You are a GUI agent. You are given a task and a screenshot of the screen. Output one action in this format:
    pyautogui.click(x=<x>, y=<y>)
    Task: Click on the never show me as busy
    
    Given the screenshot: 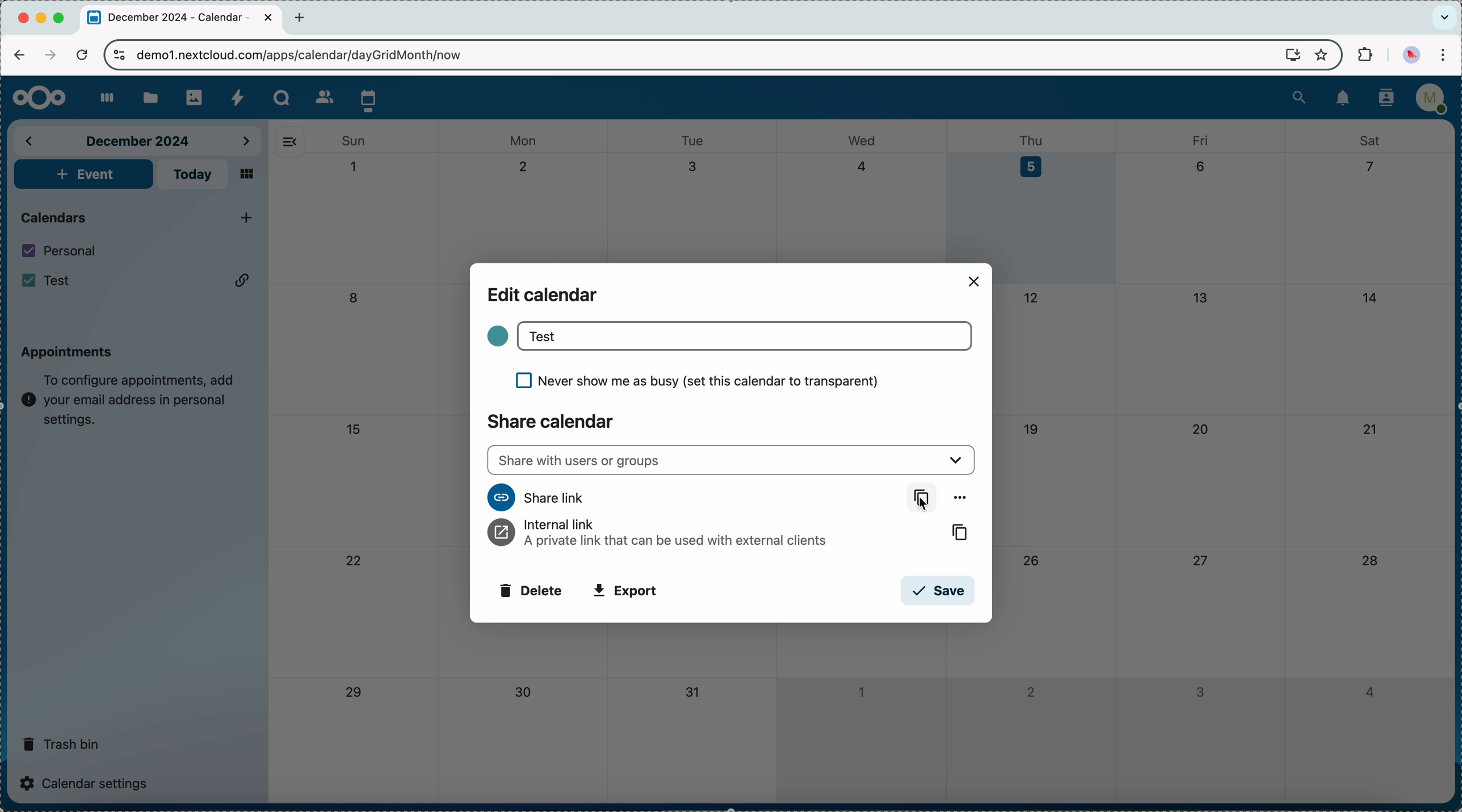 What is the action you would take?
    pyautogui.click(x=695, y=380)
    